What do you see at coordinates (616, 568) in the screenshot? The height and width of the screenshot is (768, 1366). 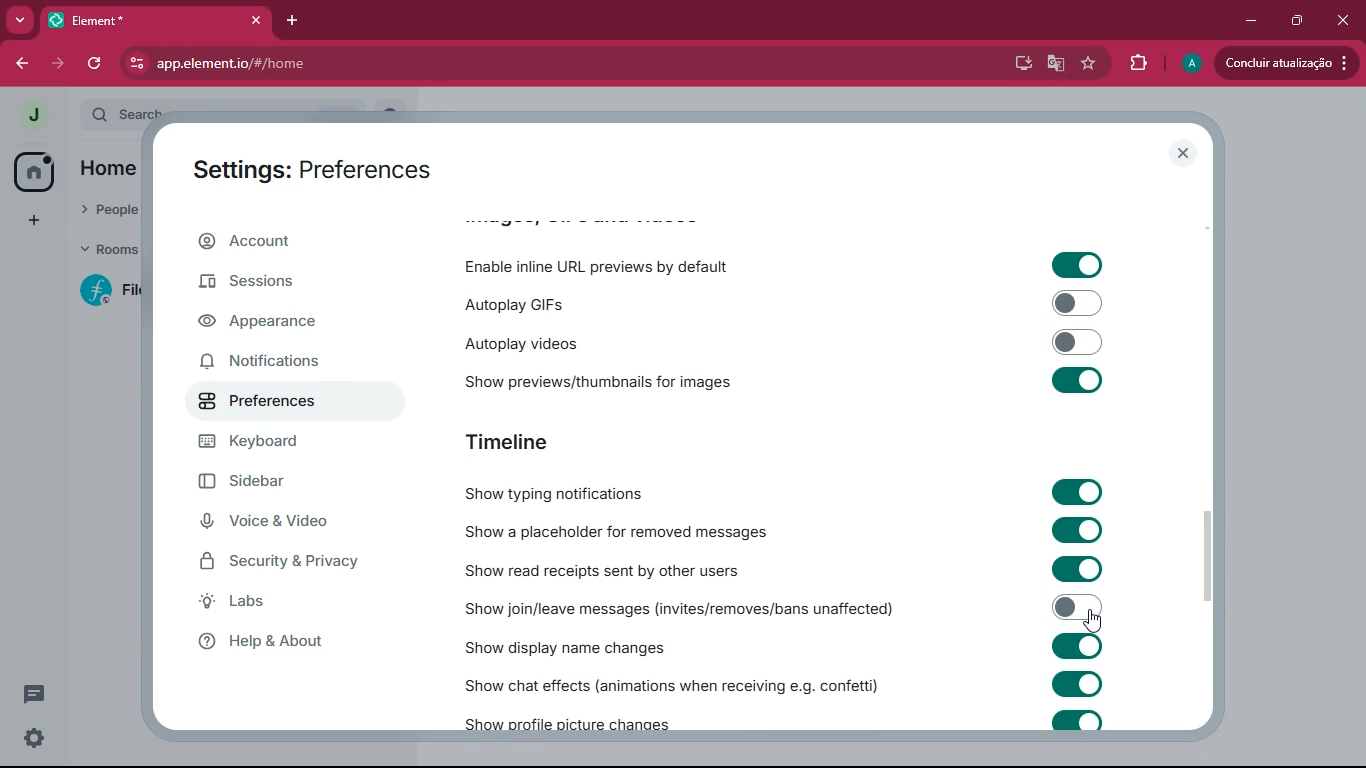 I see `show read receipts sent by other users` at bounding box center [616, 568].